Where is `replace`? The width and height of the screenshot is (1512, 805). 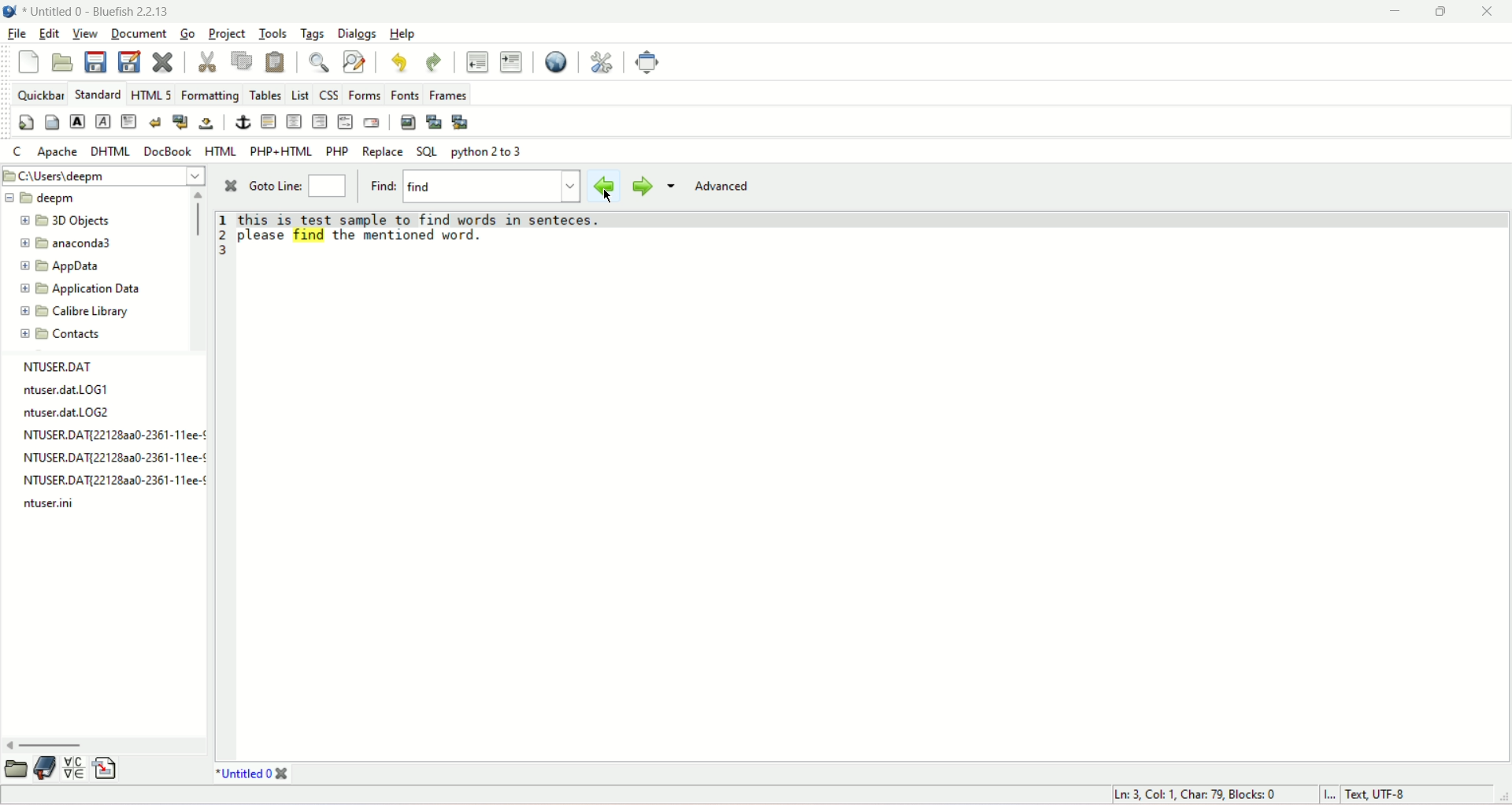 replace is located at coordinates (384, 152).